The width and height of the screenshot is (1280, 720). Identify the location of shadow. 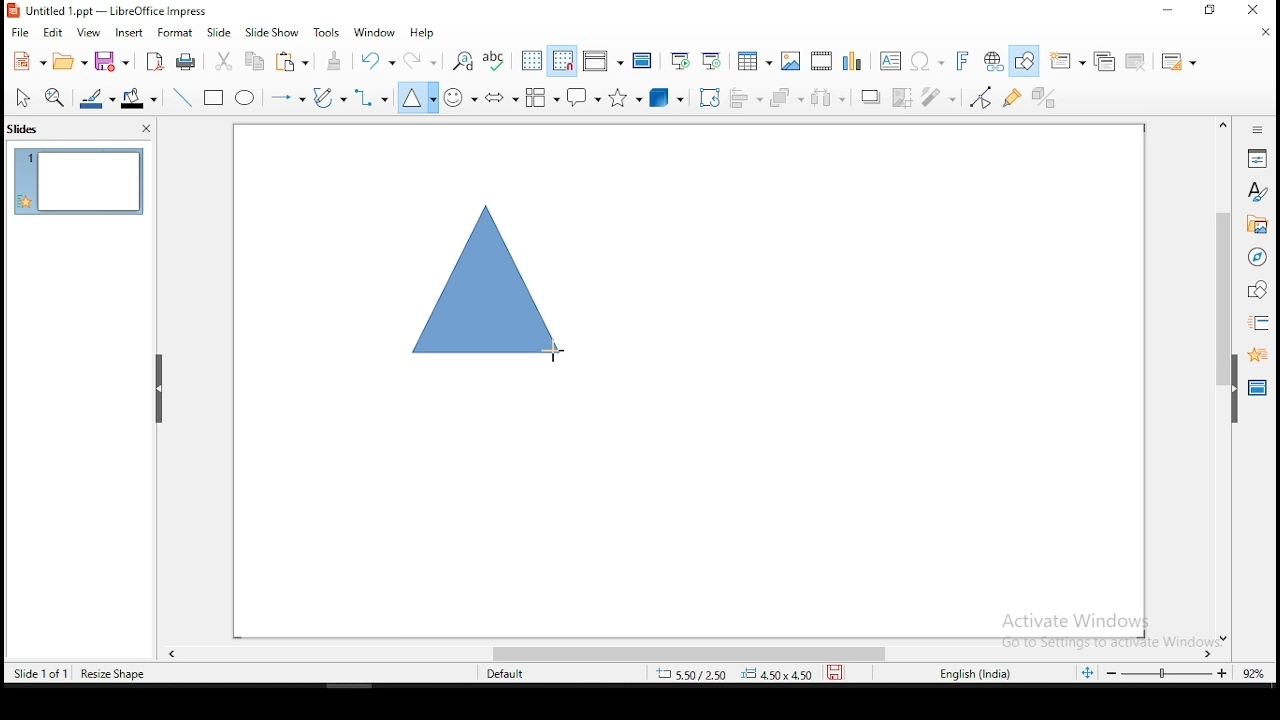
(871, 98).